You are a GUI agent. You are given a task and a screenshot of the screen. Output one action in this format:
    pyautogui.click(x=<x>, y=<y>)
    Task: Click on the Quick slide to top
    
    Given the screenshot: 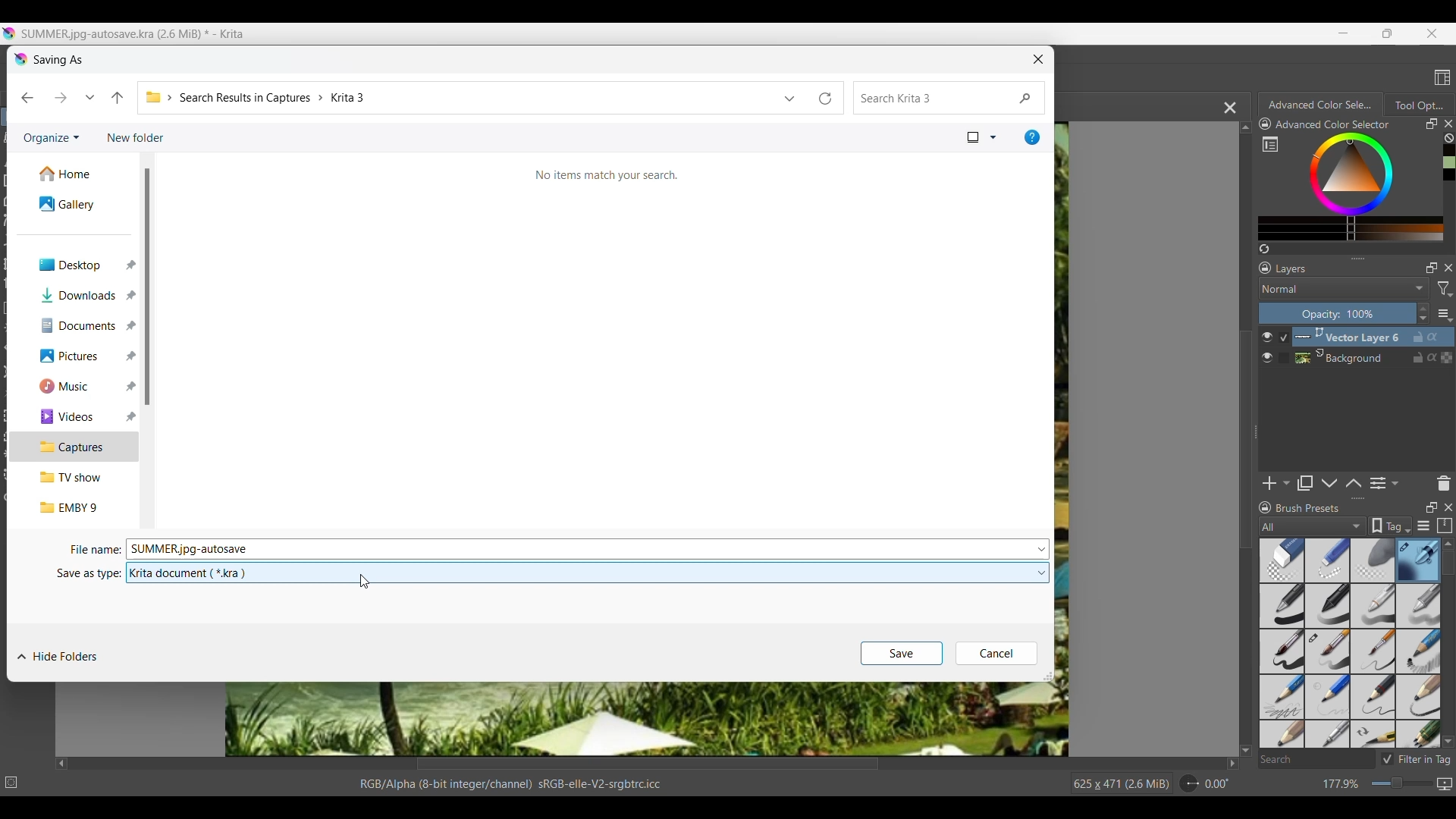 What is the action you would take?
    pyautogui.click(x=1448, y=544)
    